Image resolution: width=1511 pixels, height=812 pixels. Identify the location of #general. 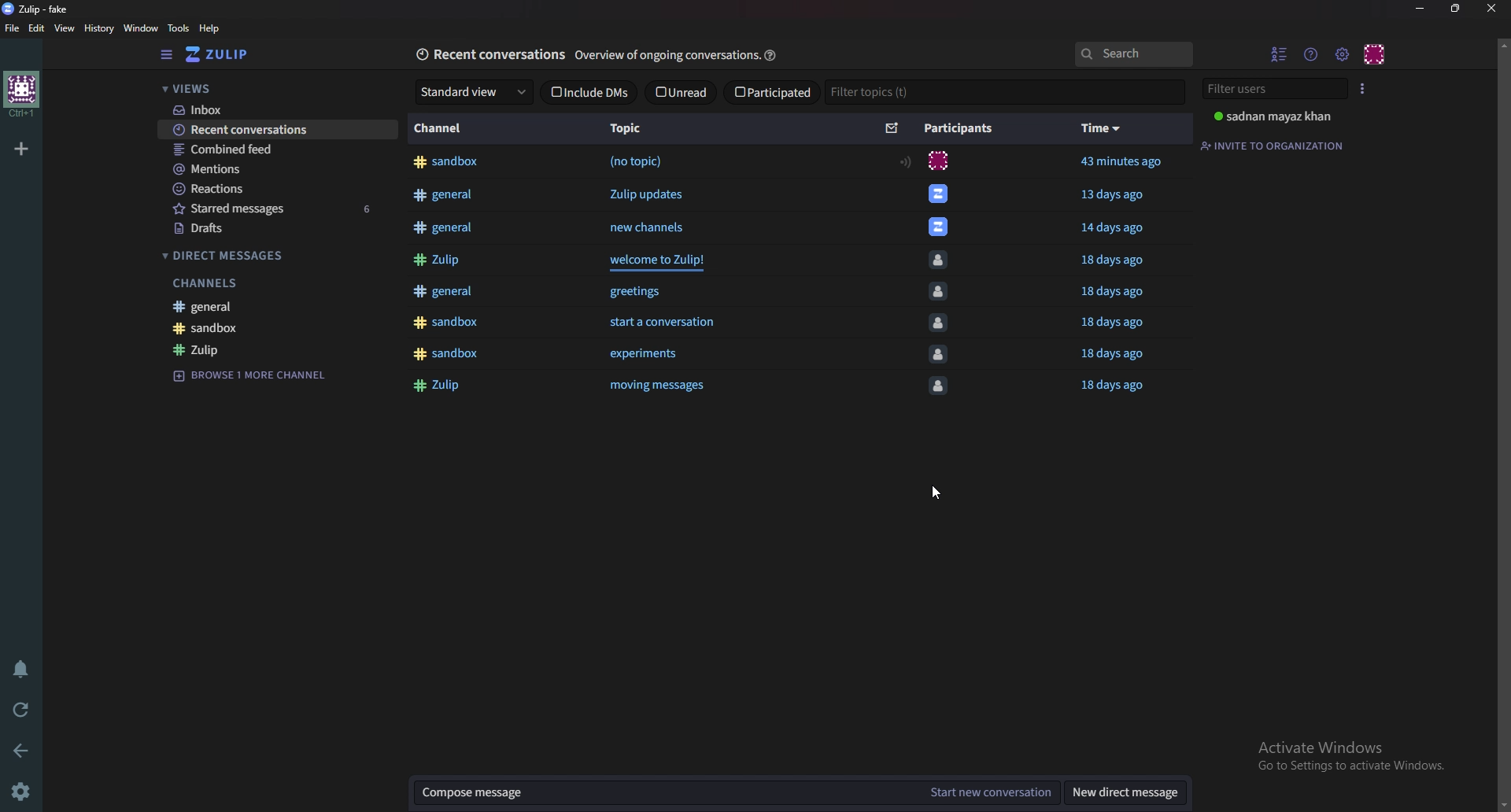
(445, 293).